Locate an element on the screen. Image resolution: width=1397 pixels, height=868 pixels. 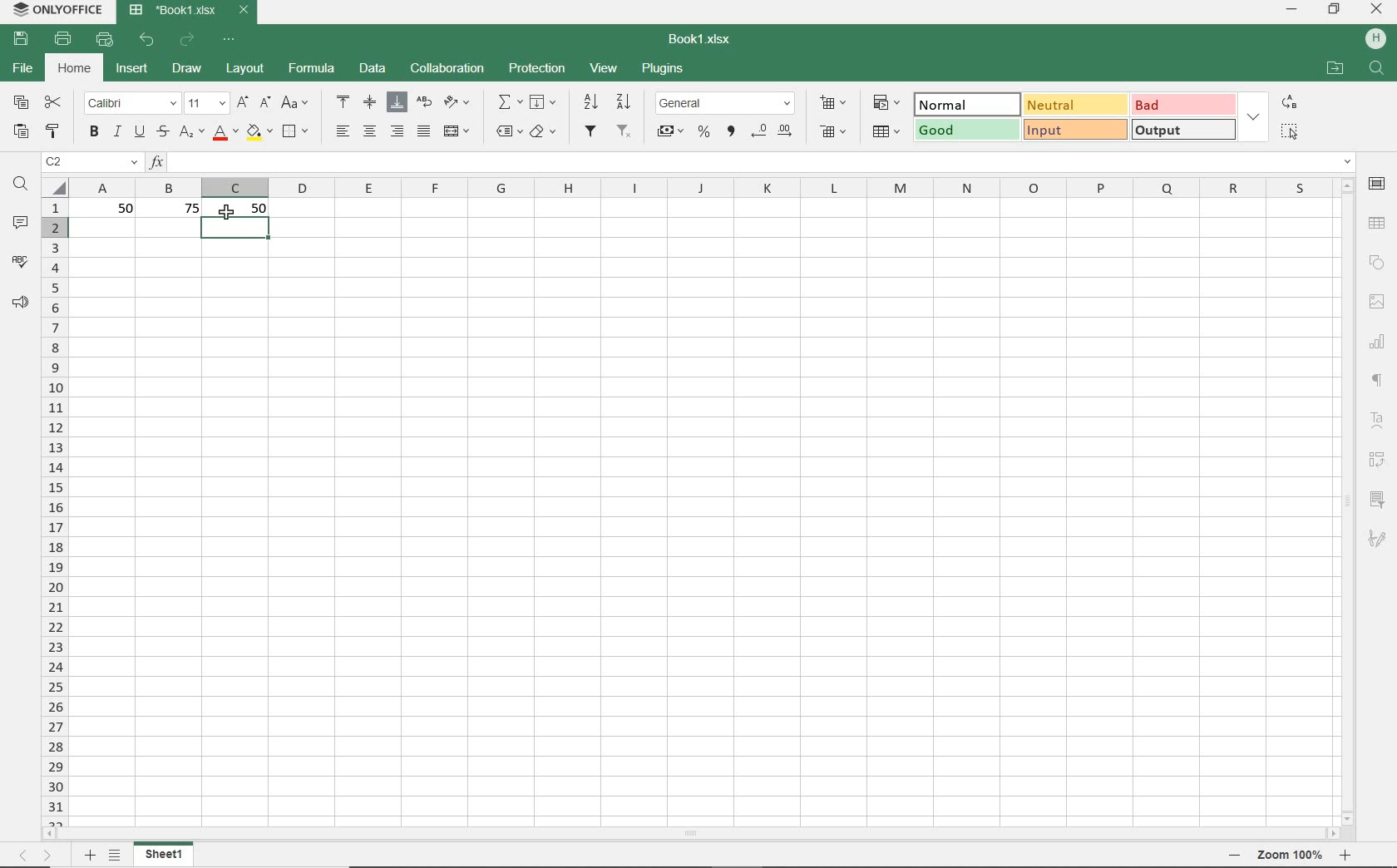
bold is located at coordinates (93, 133).